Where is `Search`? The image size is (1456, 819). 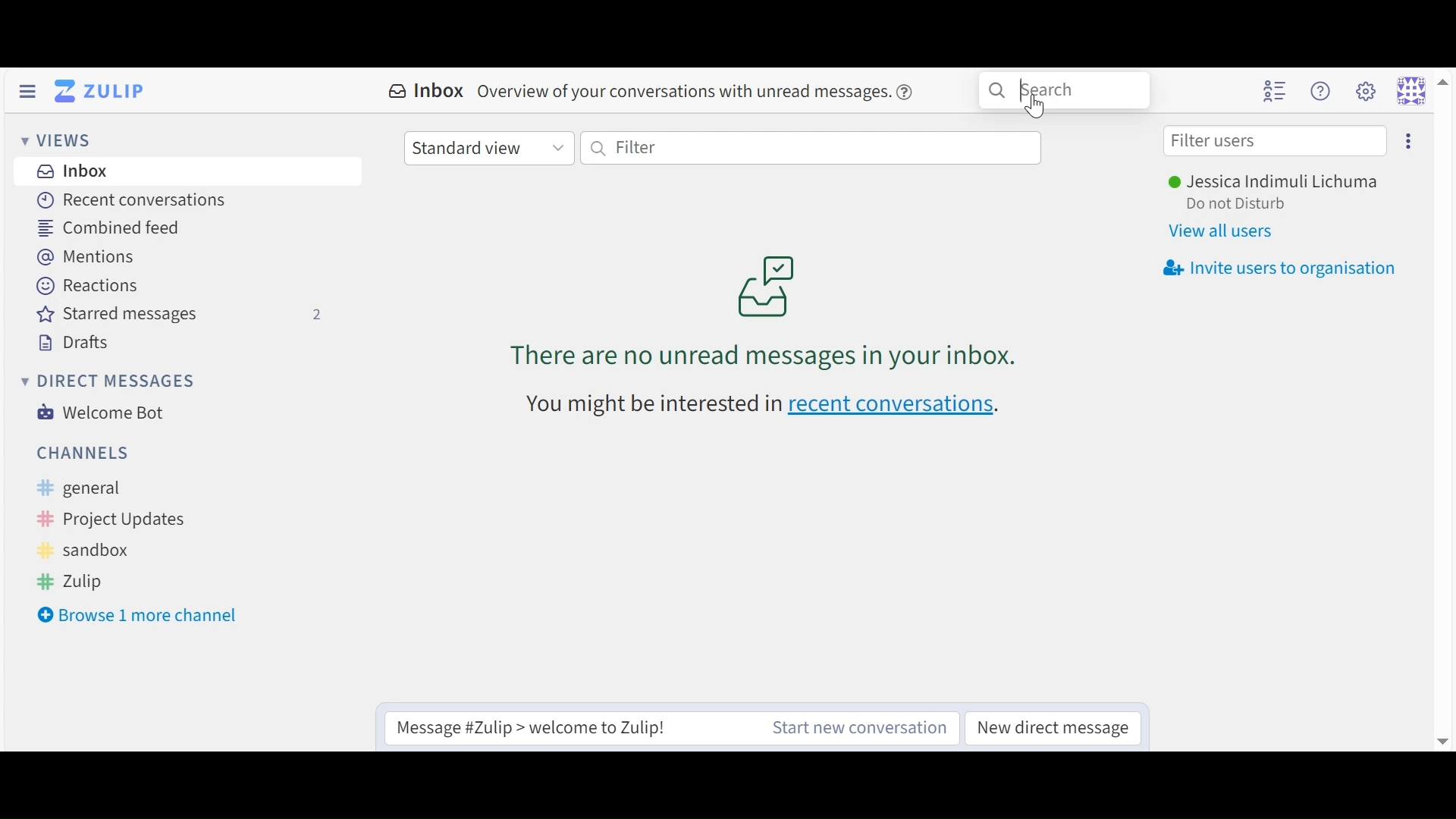 Search is located at coordinates (1063, 89).